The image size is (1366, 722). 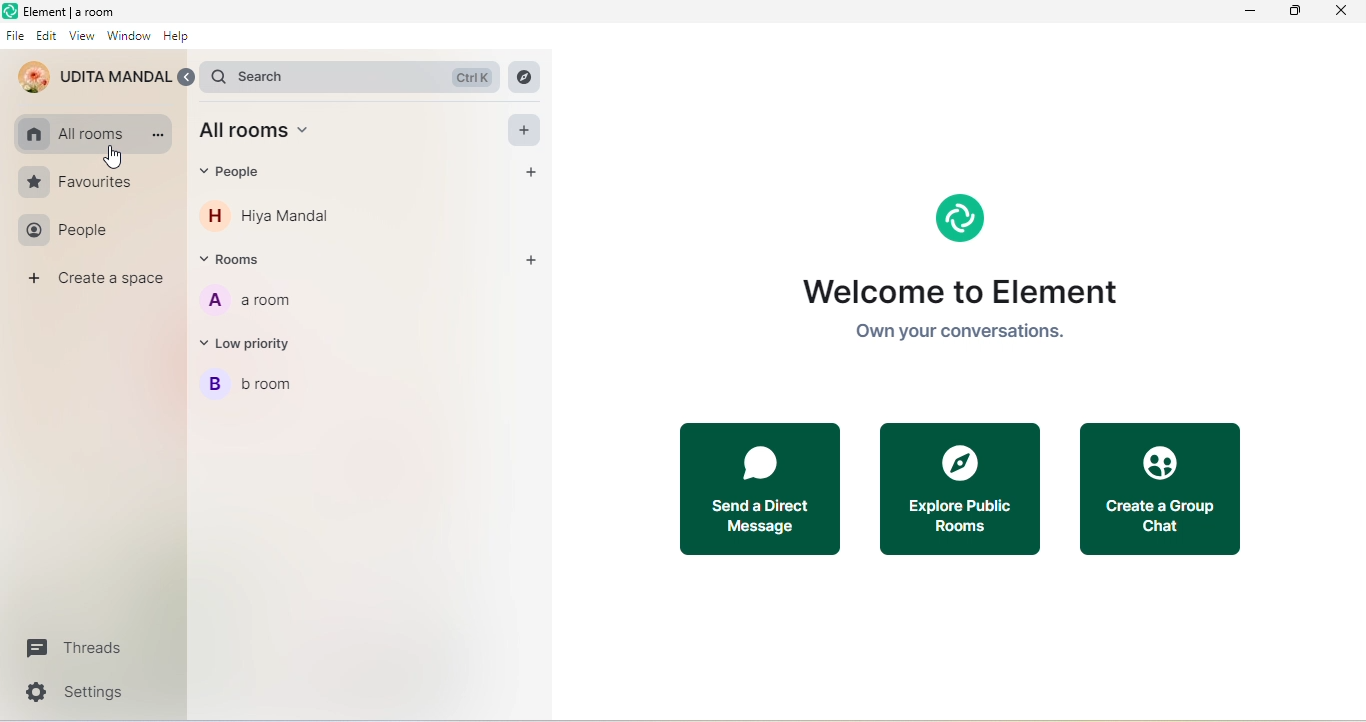 What do you see at coordinates (73, 693) in the screenshot?
I see `Settings` at bounding box center [73, 693].